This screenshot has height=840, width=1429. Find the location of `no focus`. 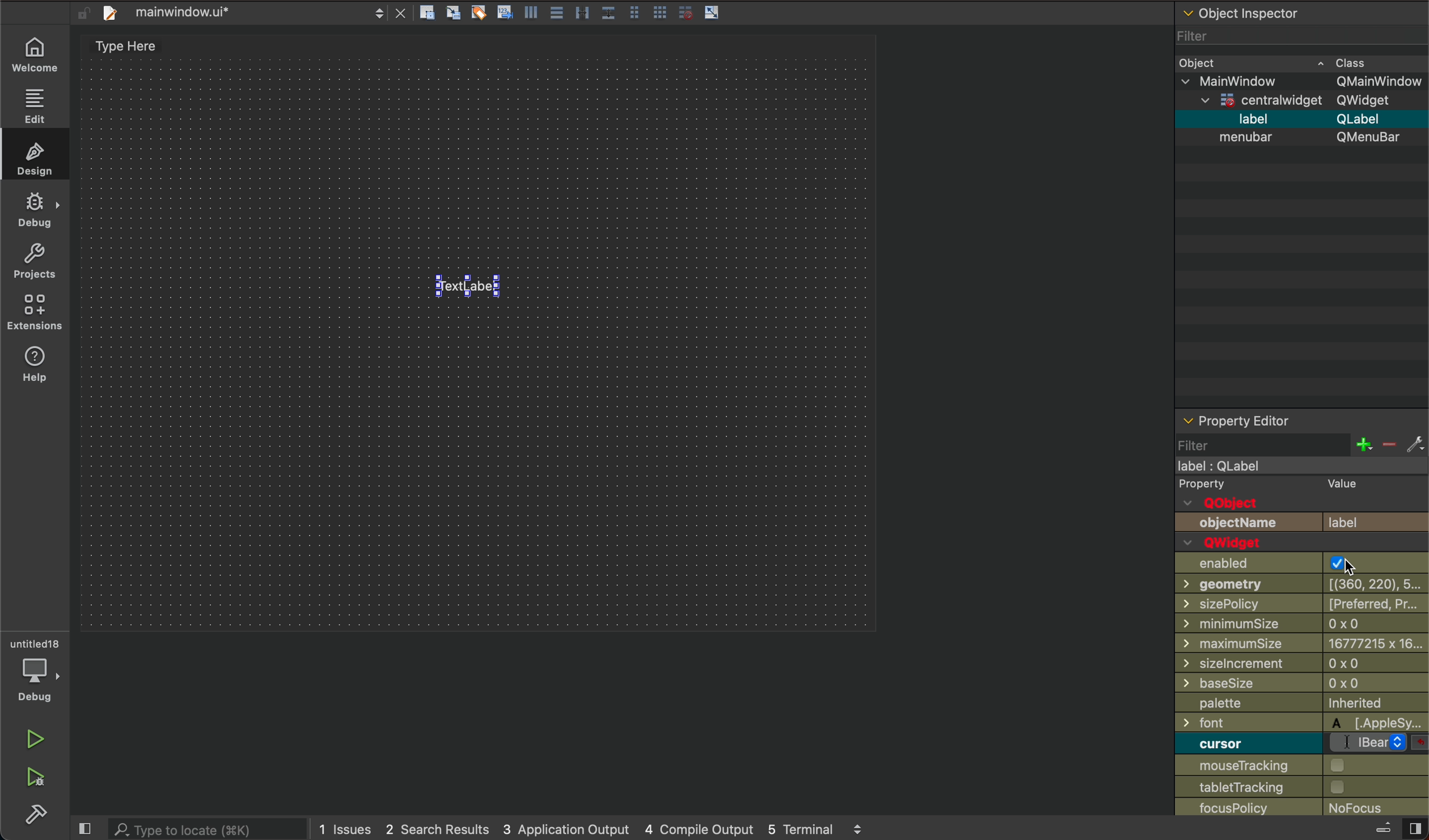

no focus is located at coordinates (1356, 808).